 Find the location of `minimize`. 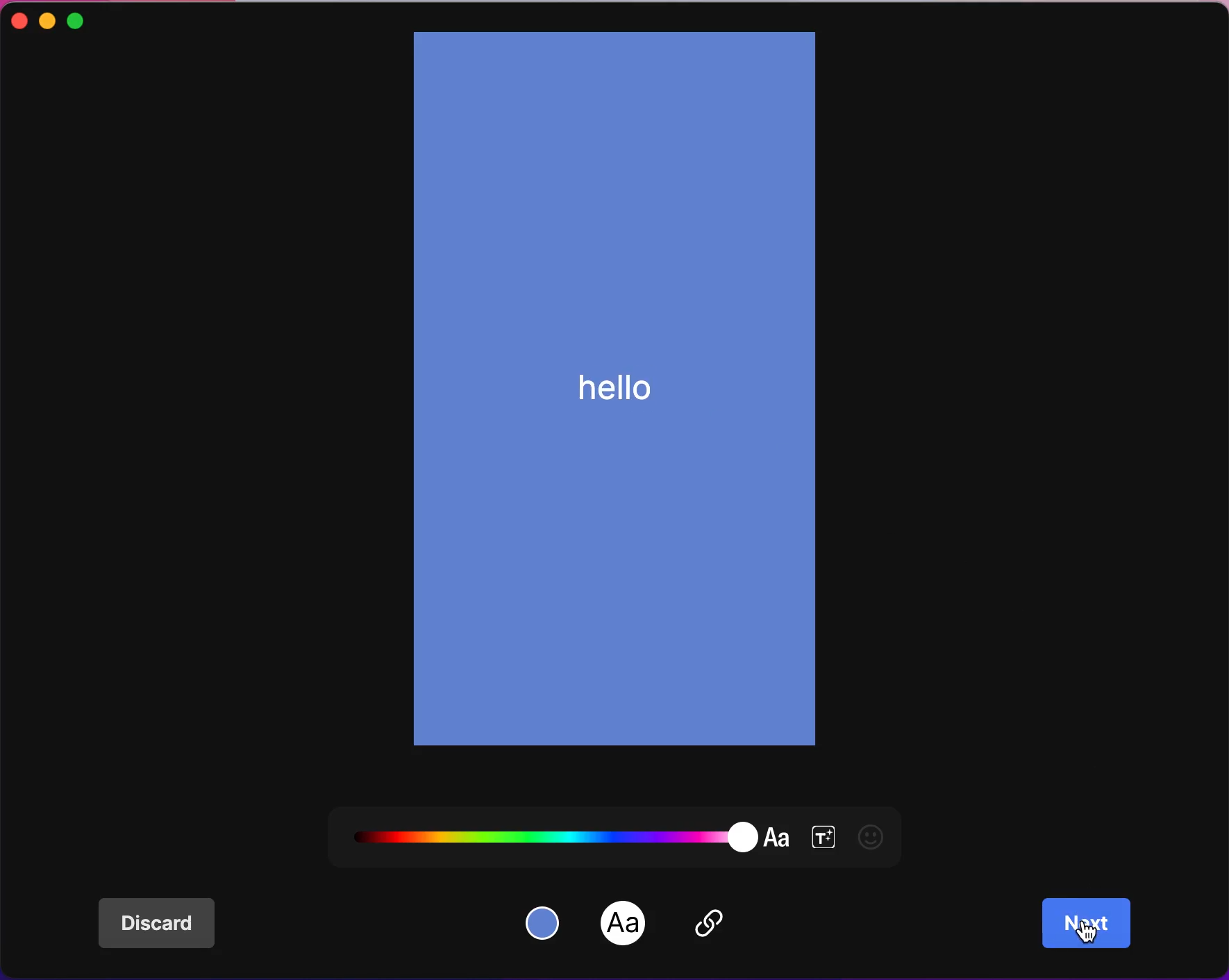

minimize is located at coordinates (48, 21).